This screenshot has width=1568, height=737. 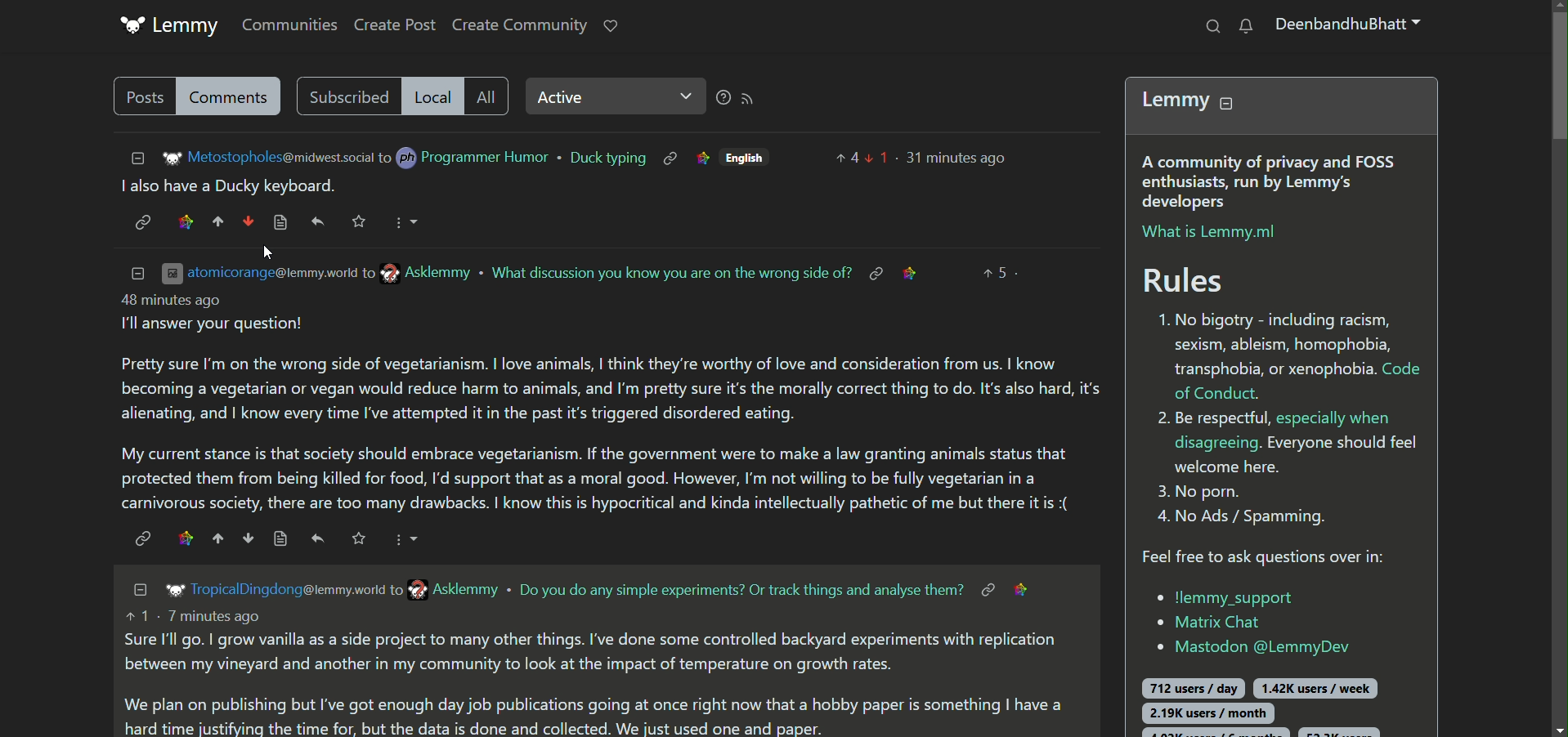 I want to click on matrix chat, so click(x=1209, y=623).